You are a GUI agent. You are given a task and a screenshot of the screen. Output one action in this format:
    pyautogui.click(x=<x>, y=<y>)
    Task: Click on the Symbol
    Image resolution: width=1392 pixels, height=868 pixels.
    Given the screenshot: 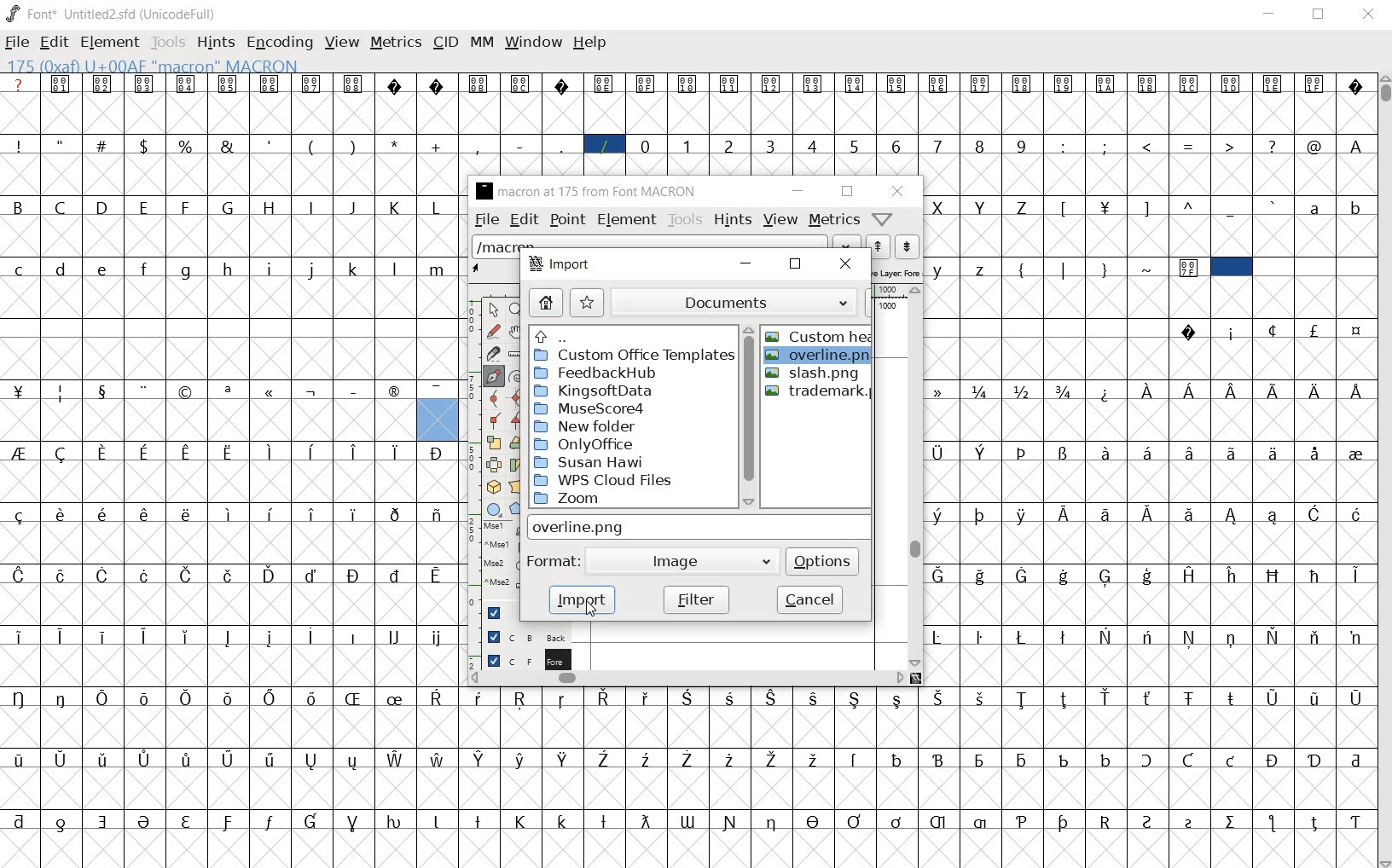 What is the action you would take?
    pyautogui.click(x=942, y=757)
    